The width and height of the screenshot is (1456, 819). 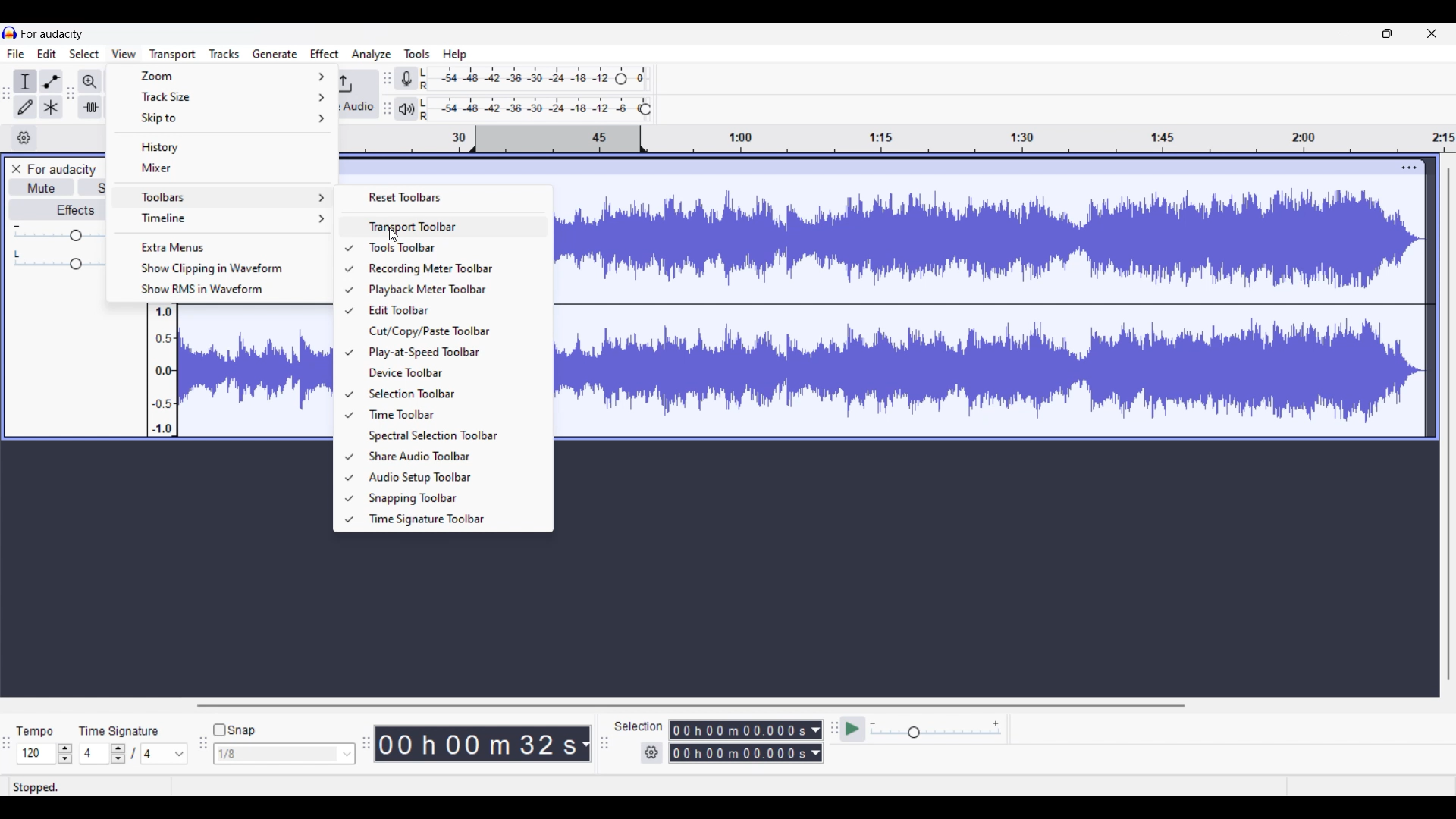 I want to click on click to drag, so click(x=868, y=168).